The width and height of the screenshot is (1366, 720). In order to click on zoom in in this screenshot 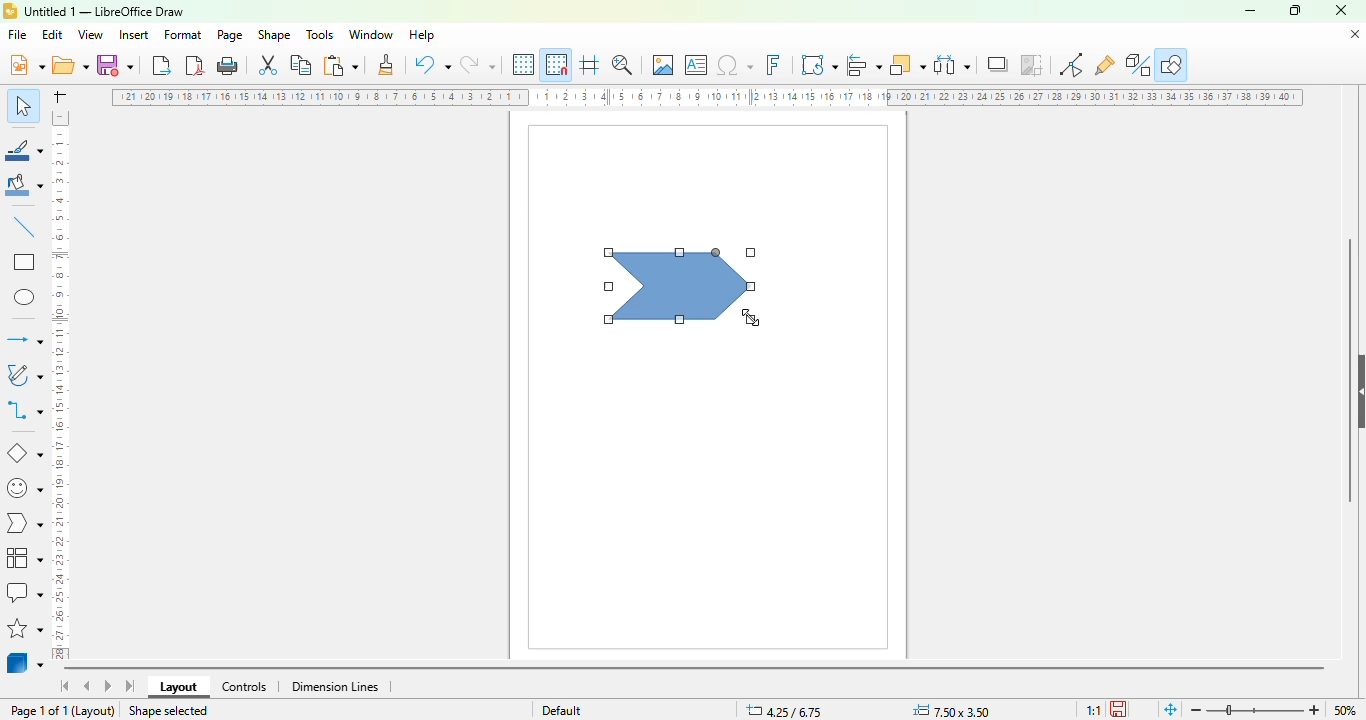, I will do `click(1314, 710)`.